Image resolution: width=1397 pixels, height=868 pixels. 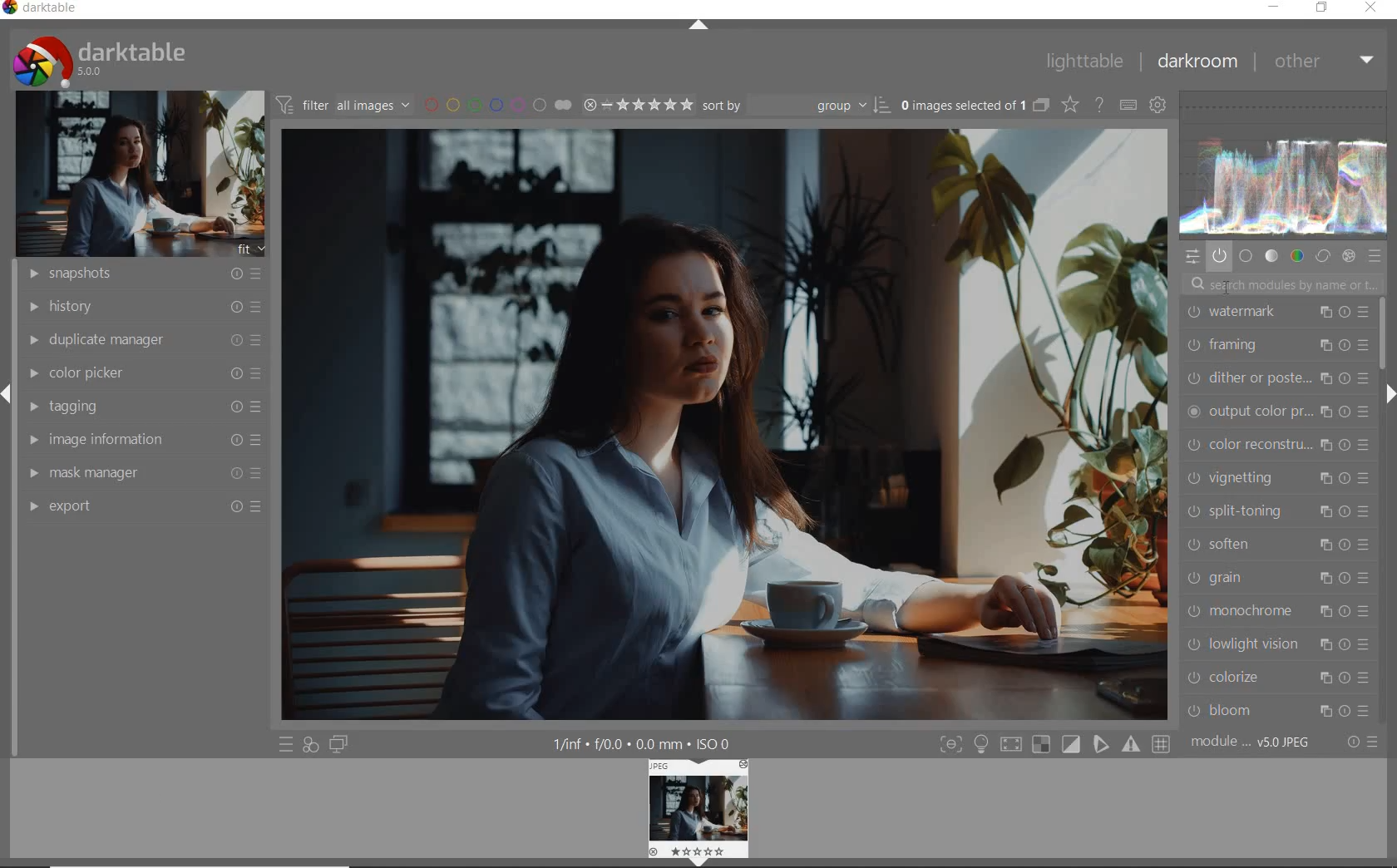 What do you see at coordinates (1276, 285) in the screenshot?
I see `search modules` at bounding box center [1276, 285].